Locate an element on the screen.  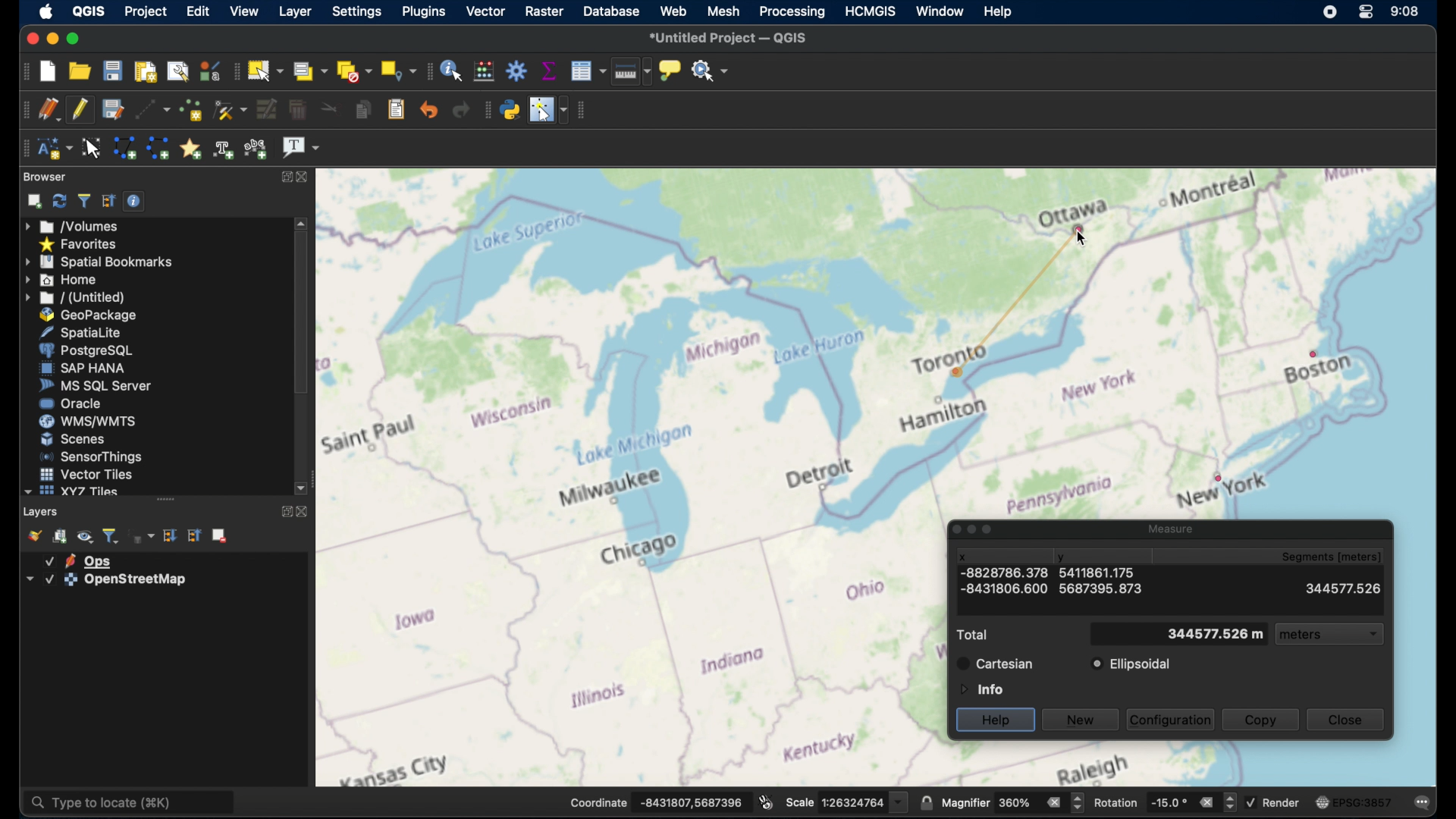
collapse all is located at coordinates (108, 201).